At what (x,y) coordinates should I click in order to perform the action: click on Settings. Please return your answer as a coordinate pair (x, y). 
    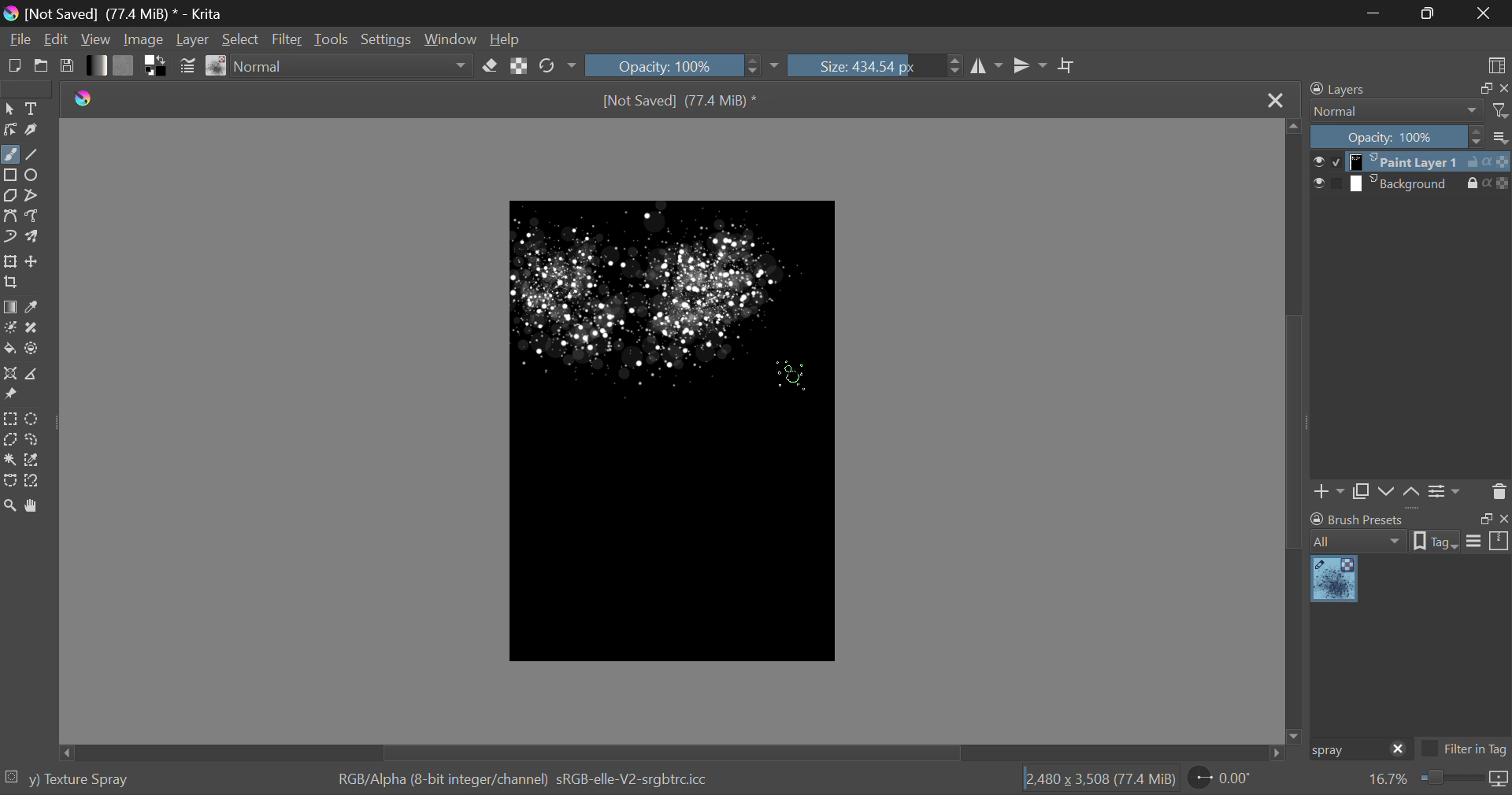
    Looking at the image, I should click on (1447, 492).